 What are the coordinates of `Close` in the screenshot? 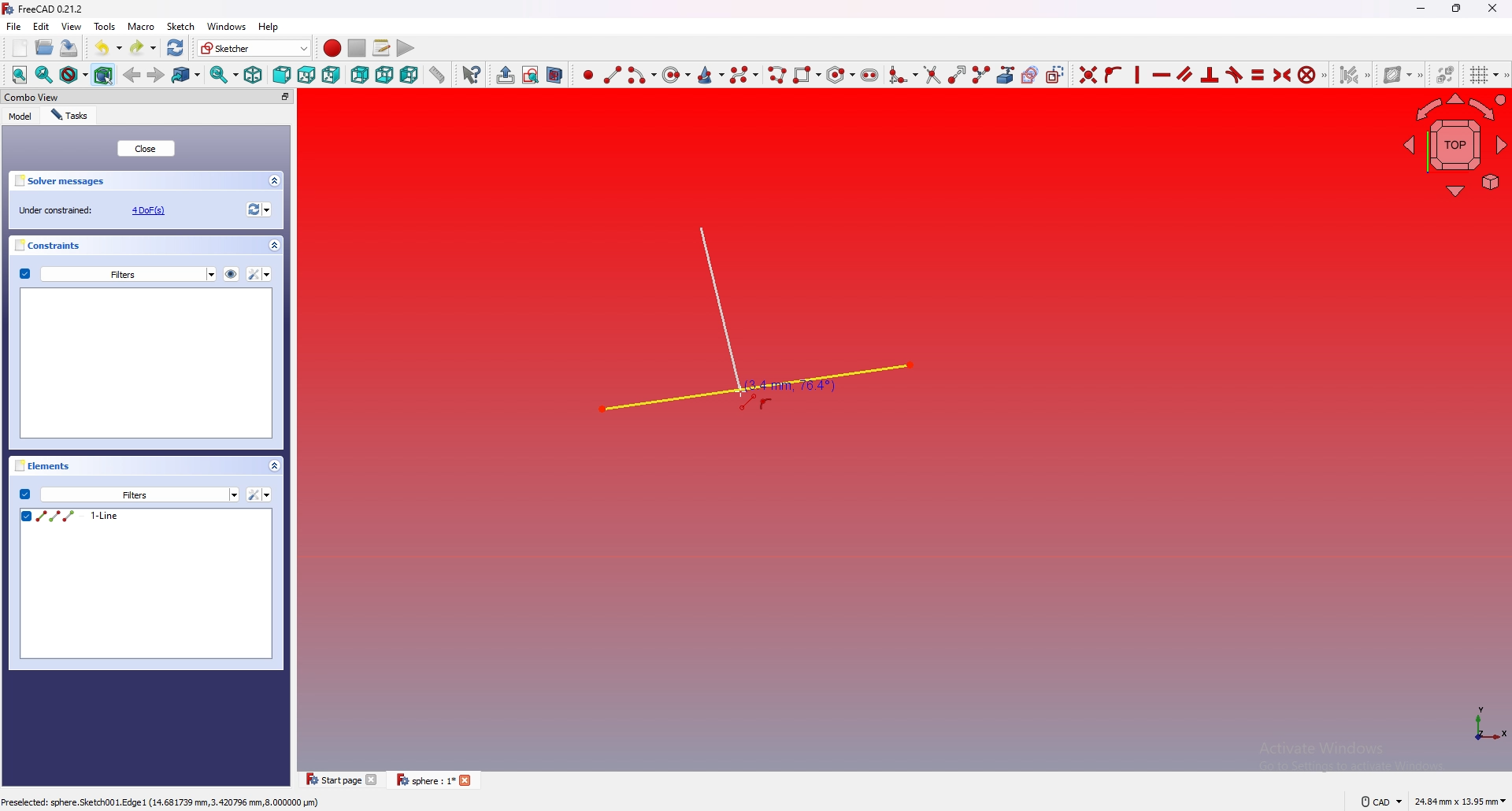 It's located at (147, 149).